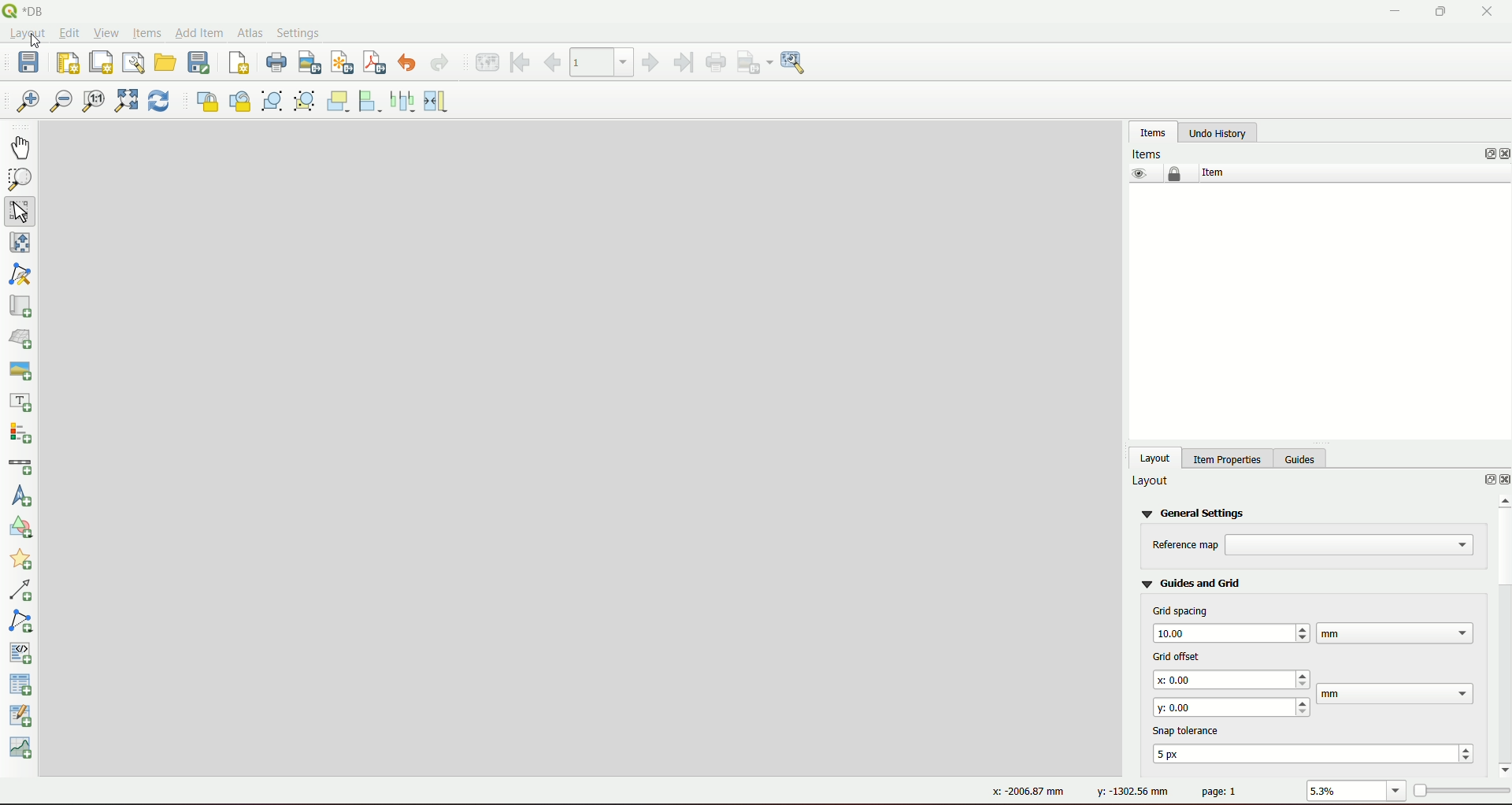 The height and width of the screenshot is (805, 1512). Describe the element at coordinates (22, 402) in the screenshot. I see `add label` at that location.